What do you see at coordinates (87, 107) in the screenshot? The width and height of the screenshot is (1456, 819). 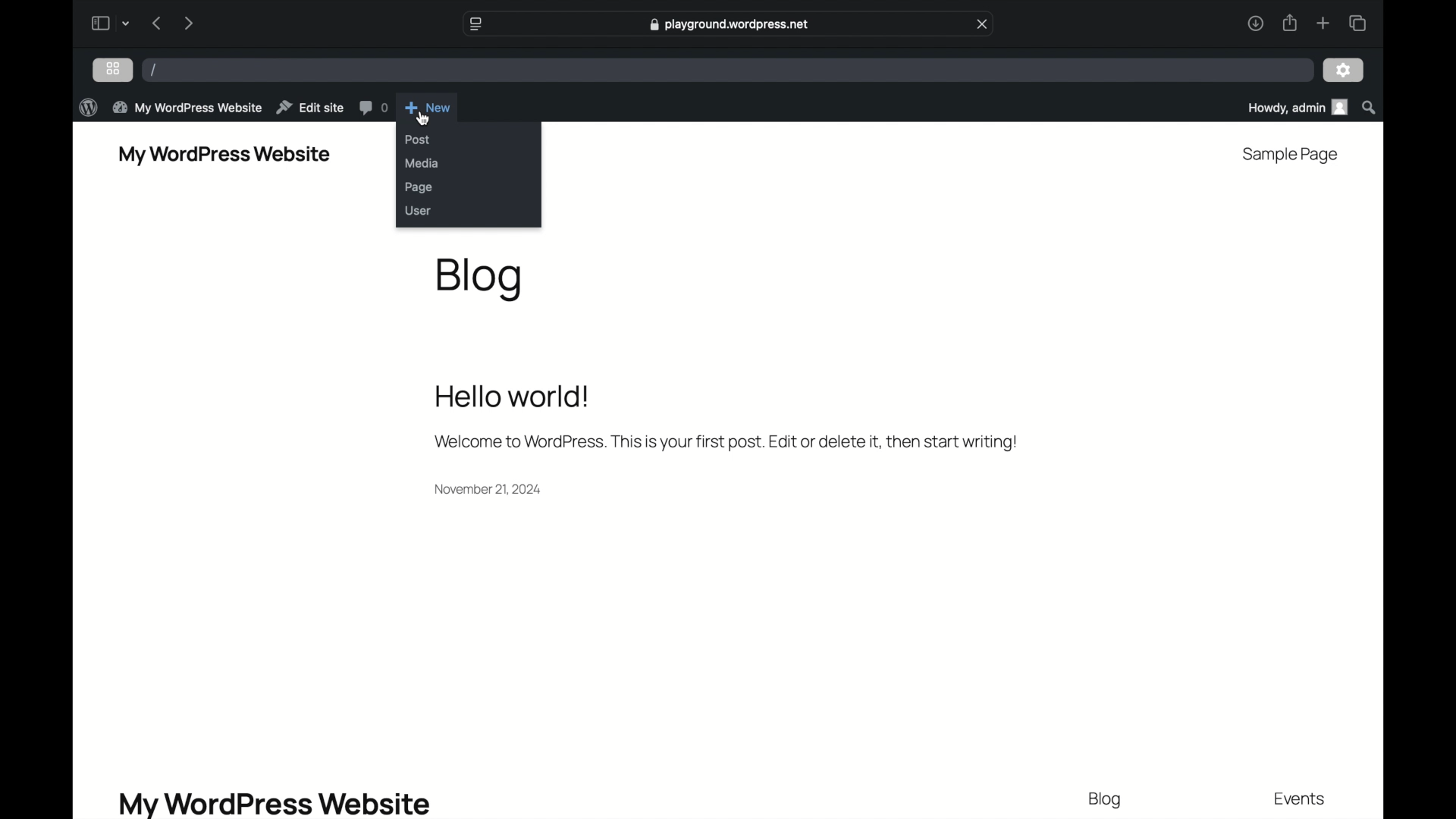 I see `wordpress` at bounding box center [87, 107].